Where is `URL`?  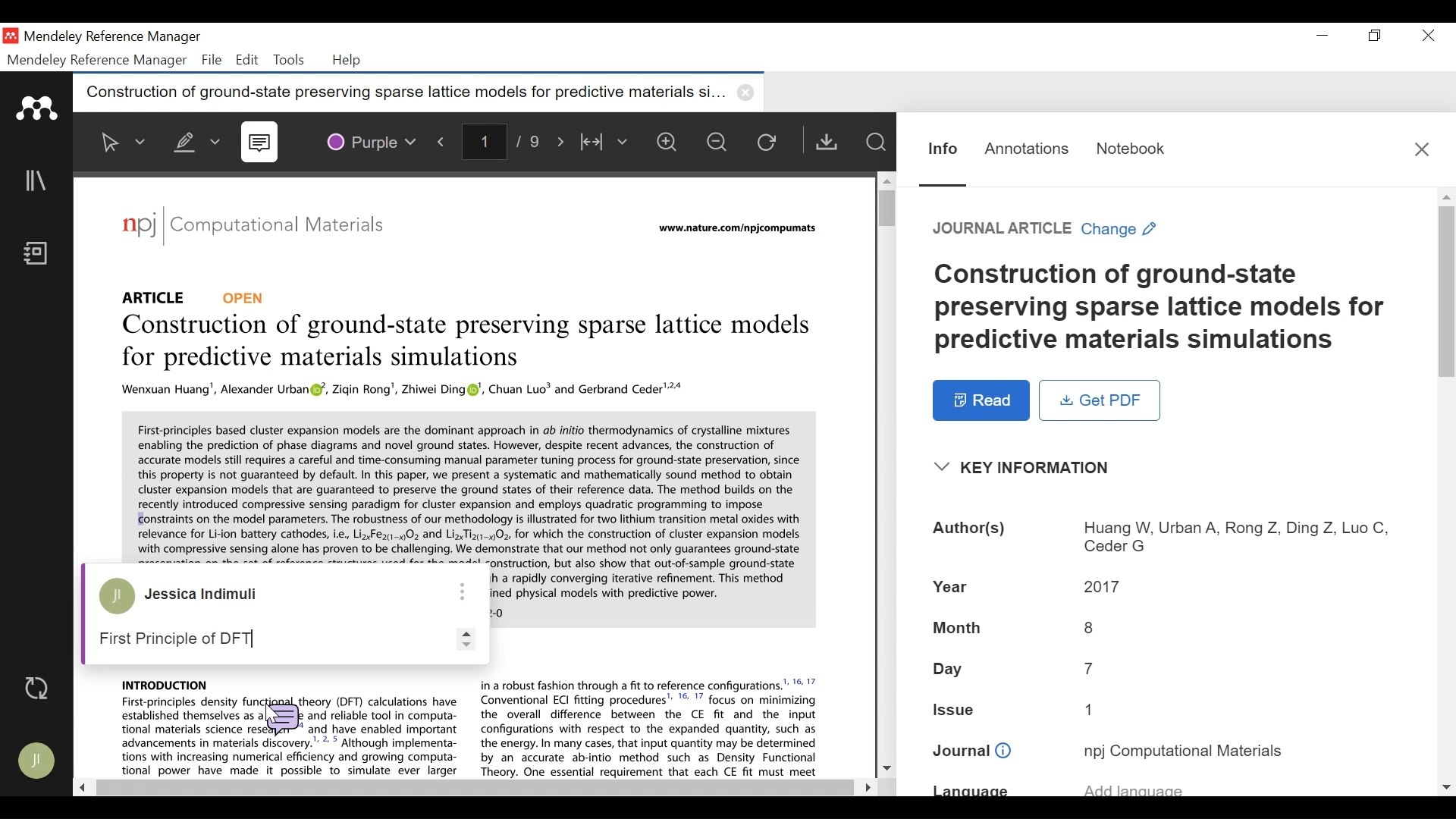 URL is located at coordinates (735, 230).